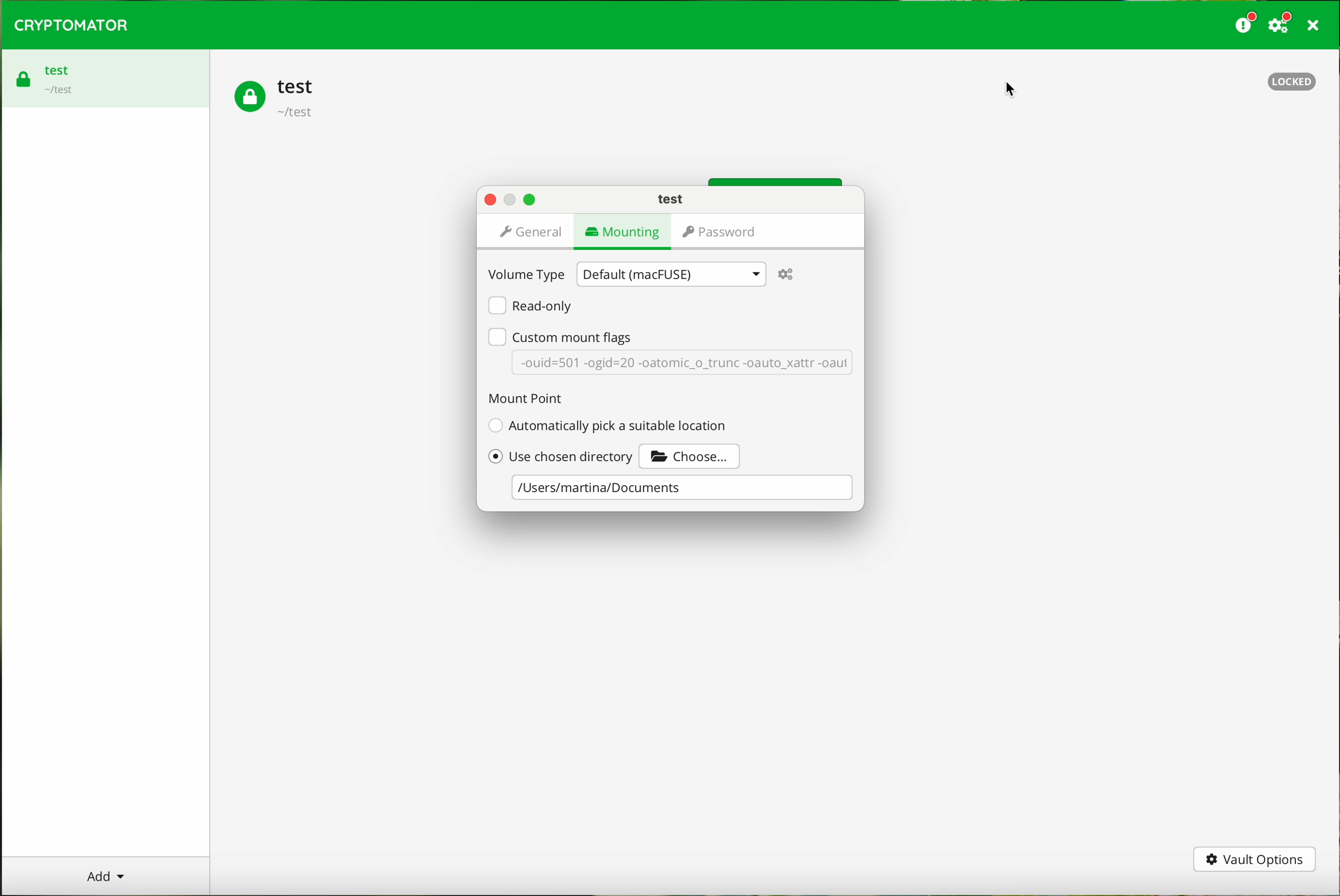 The width and height of the screenshot is (1340, 896). Describe the element at coordinates (105, 875) in the screenshot. I see `add button` at that location.